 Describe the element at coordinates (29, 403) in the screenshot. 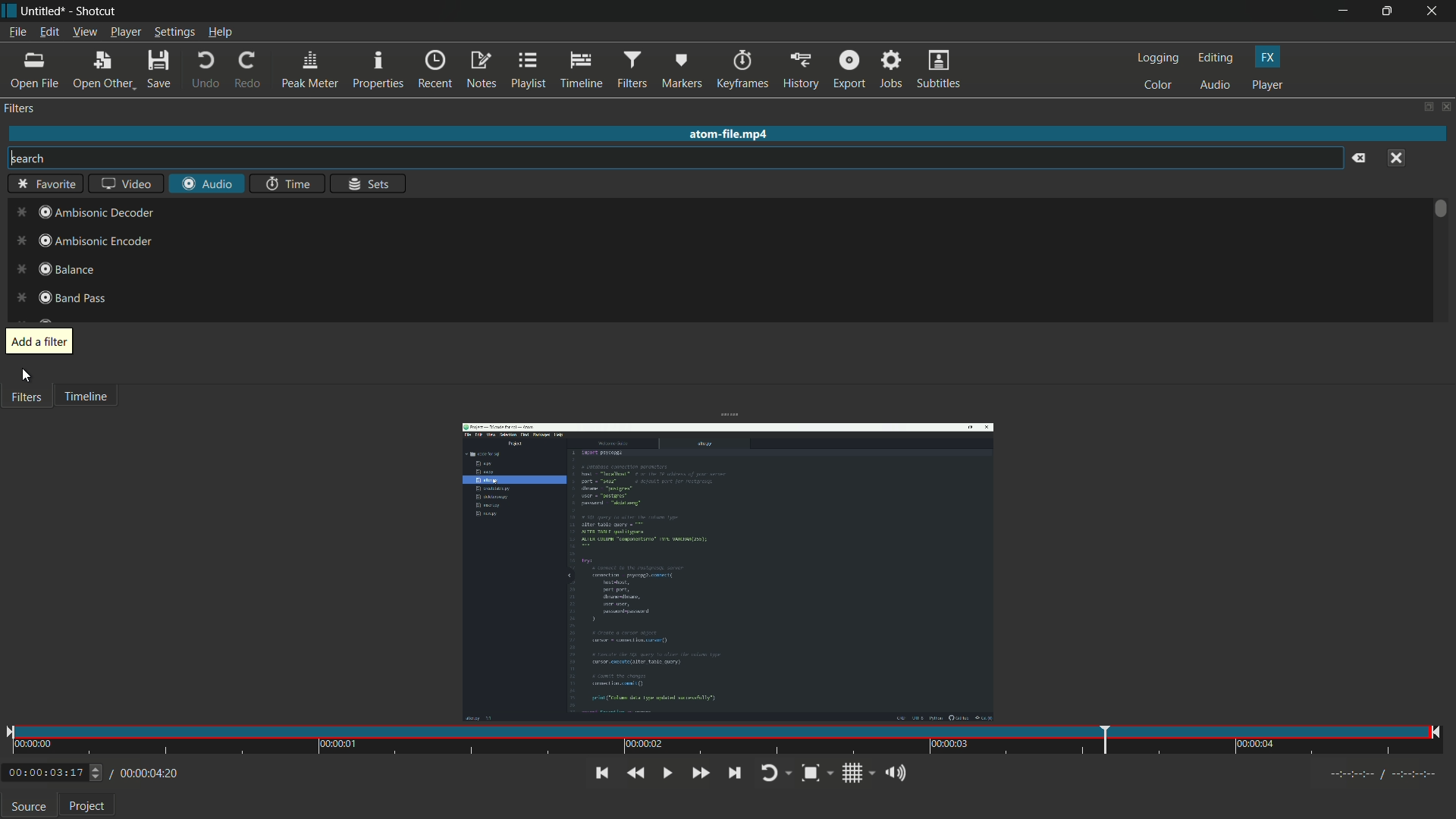

I see `Filters` at that location.